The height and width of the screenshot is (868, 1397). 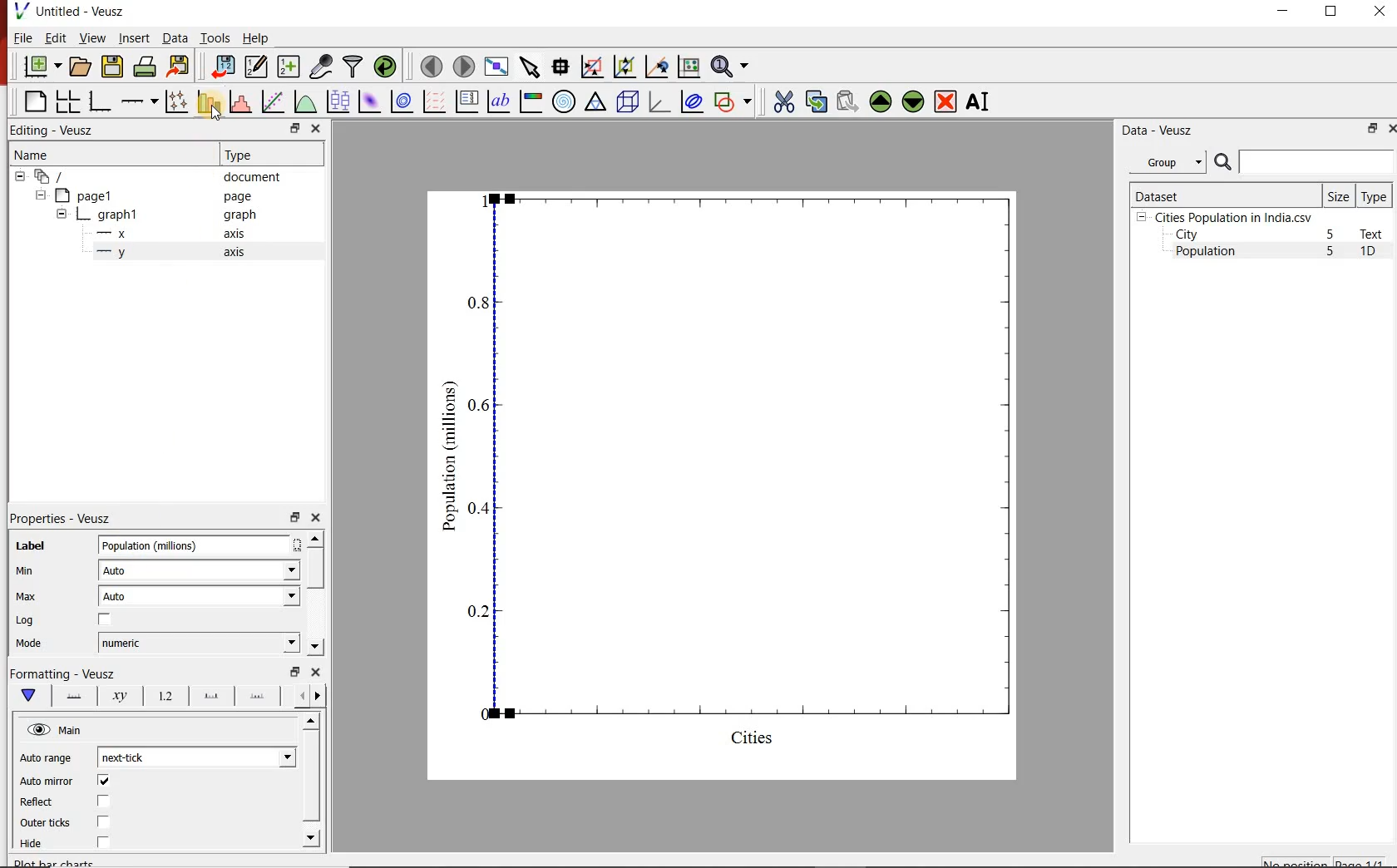 I want to click on cut the selected widget, so click(x=781, y=101).